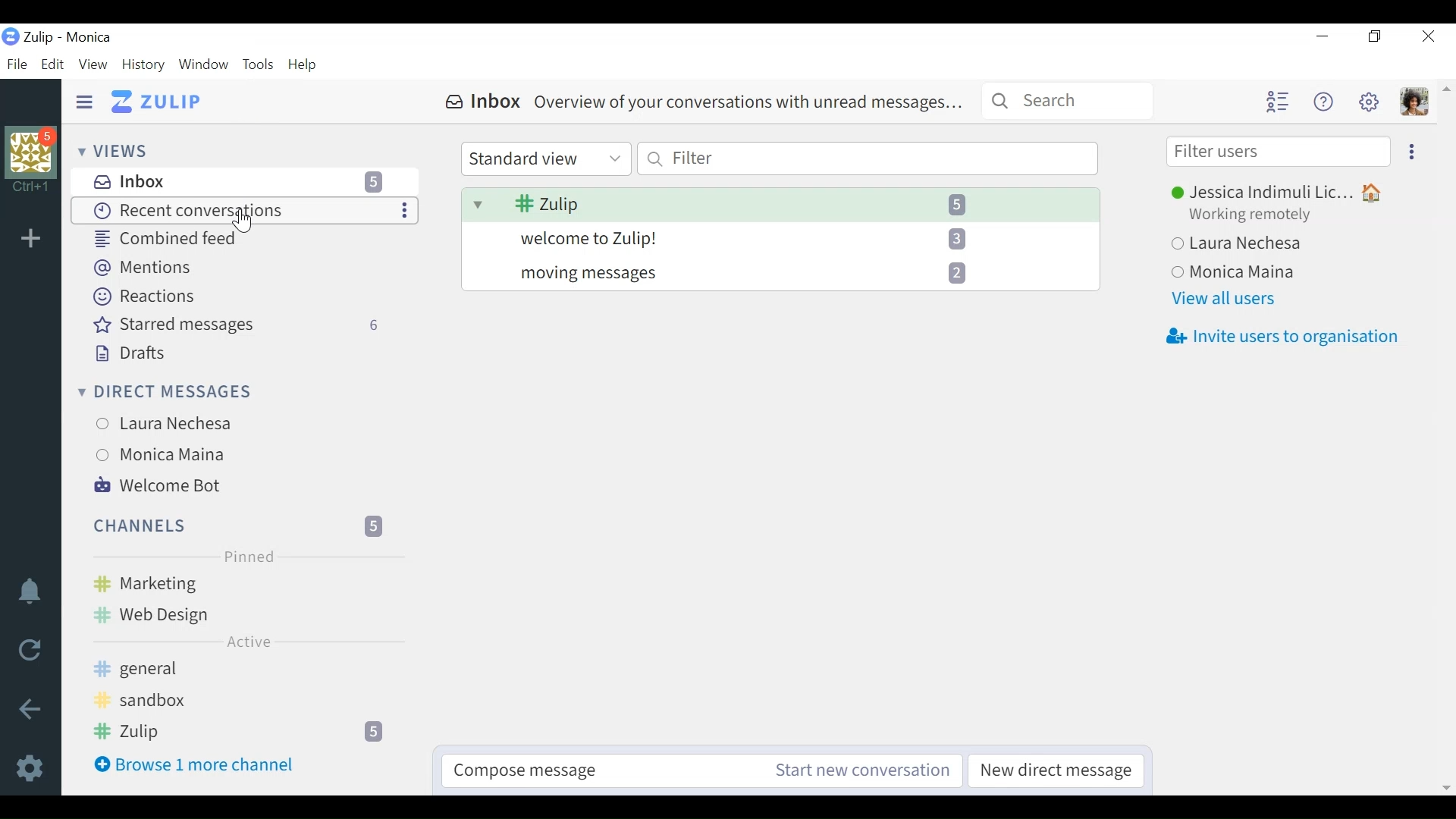  What do you see at coordinates (247, 180) in the screenshot?
I see `Inbox` at bounding box center [247, 180].